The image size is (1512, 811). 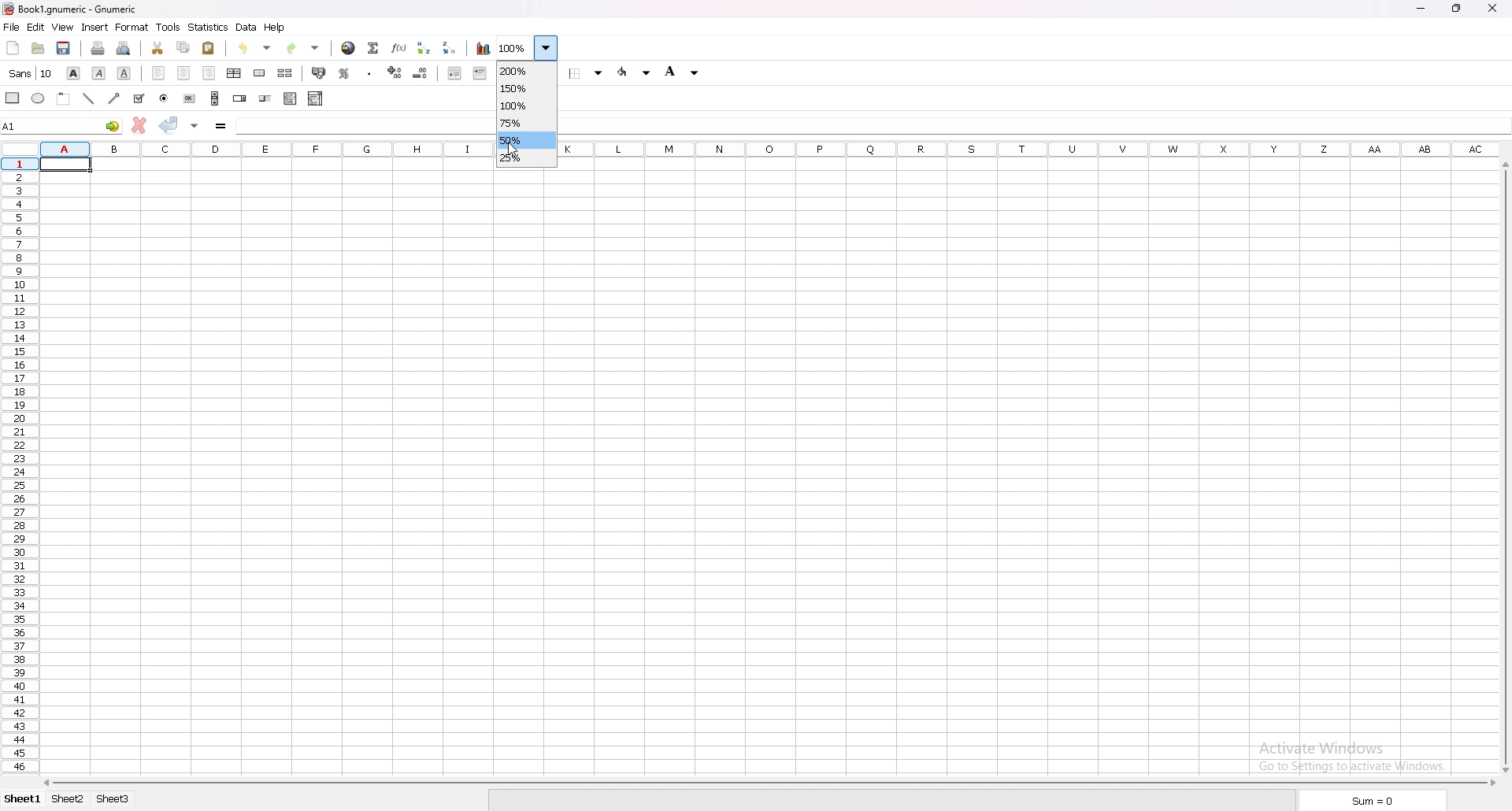 What do you see at coordinates (169, 26) in the screenshot?
I see `tools` at bounding box center [169, 26].